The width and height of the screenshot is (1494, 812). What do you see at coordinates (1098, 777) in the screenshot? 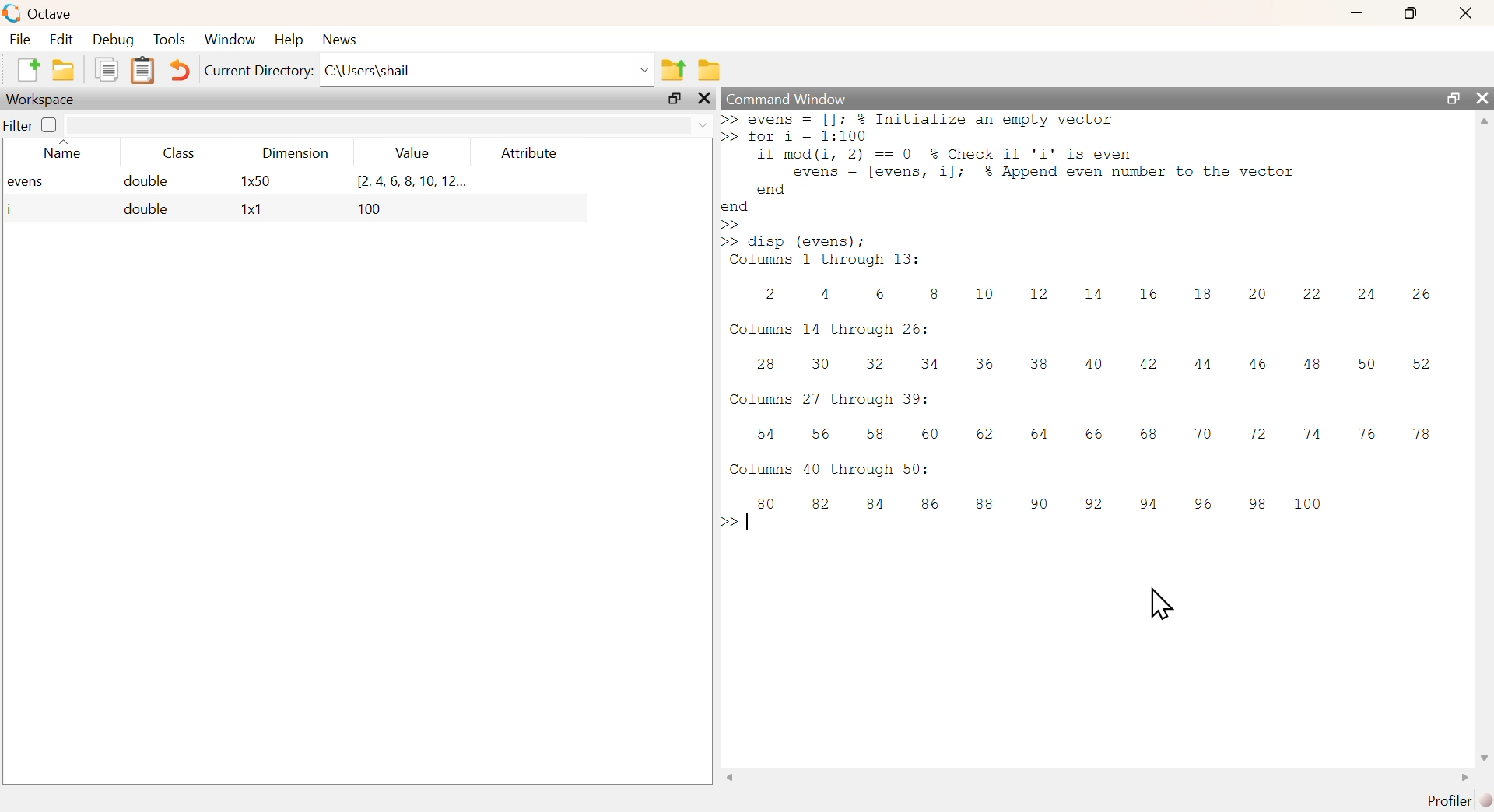
I see `scrollbar` at bounding box center [1098, 777].